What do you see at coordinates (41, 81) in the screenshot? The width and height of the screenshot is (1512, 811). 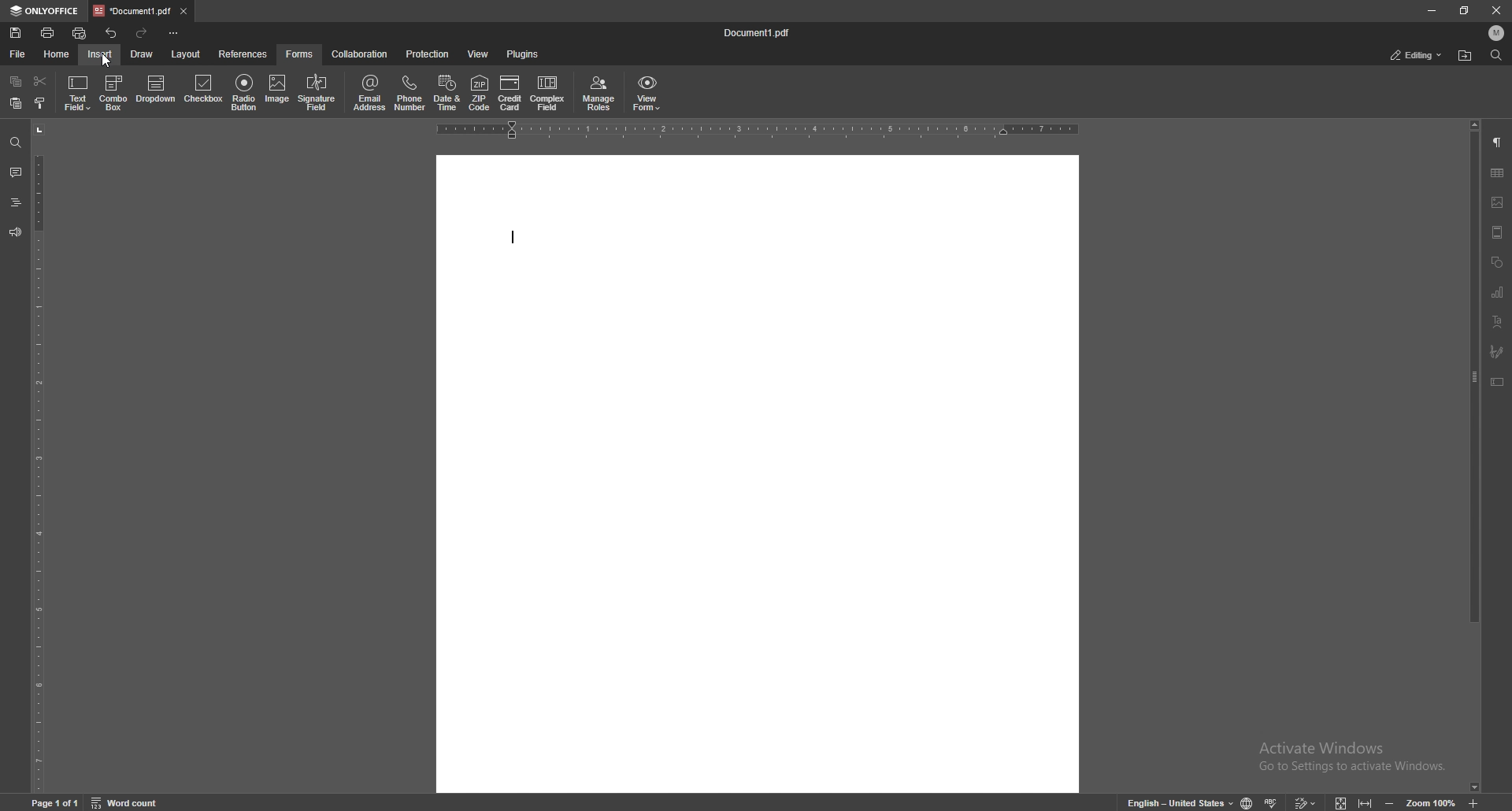 I see `cut` at bounding box center [41, 81].